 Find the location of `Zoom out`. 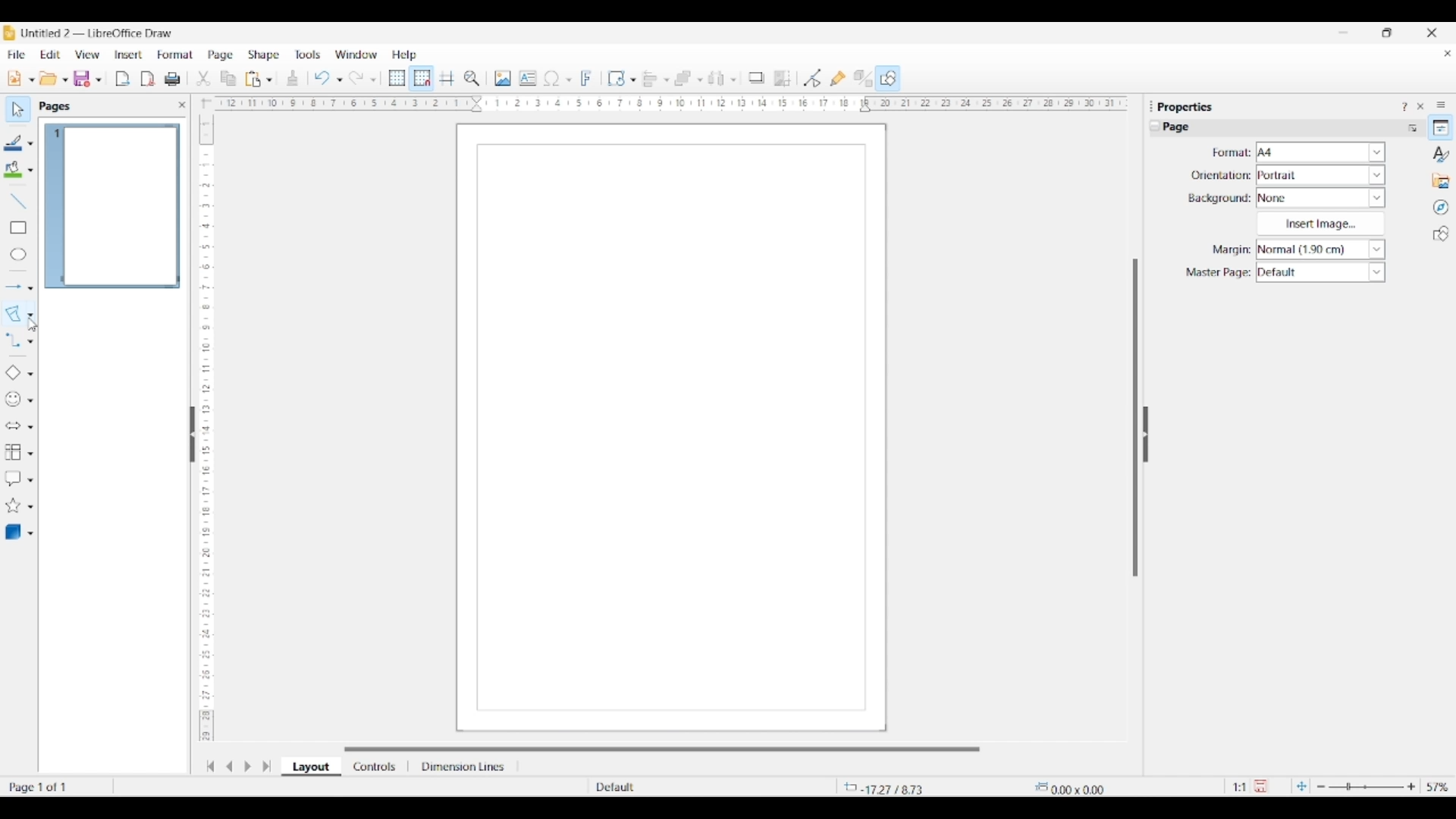

Zoom out is located at coordinates (1321, 787).